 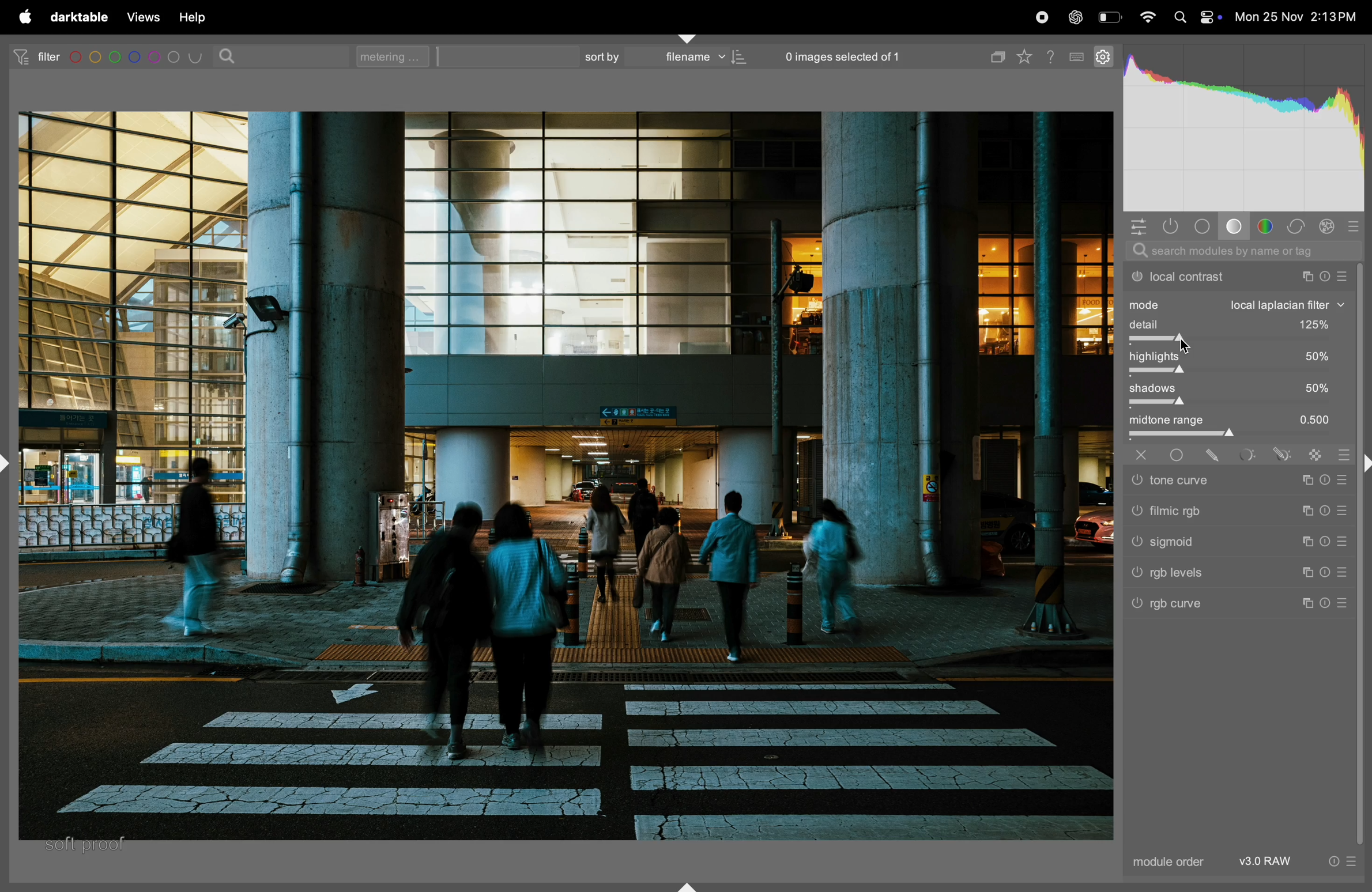 What do you see at coordinates (1110, 16) in the screenshot?
I see `battery` at bounding box center [1110, 16].